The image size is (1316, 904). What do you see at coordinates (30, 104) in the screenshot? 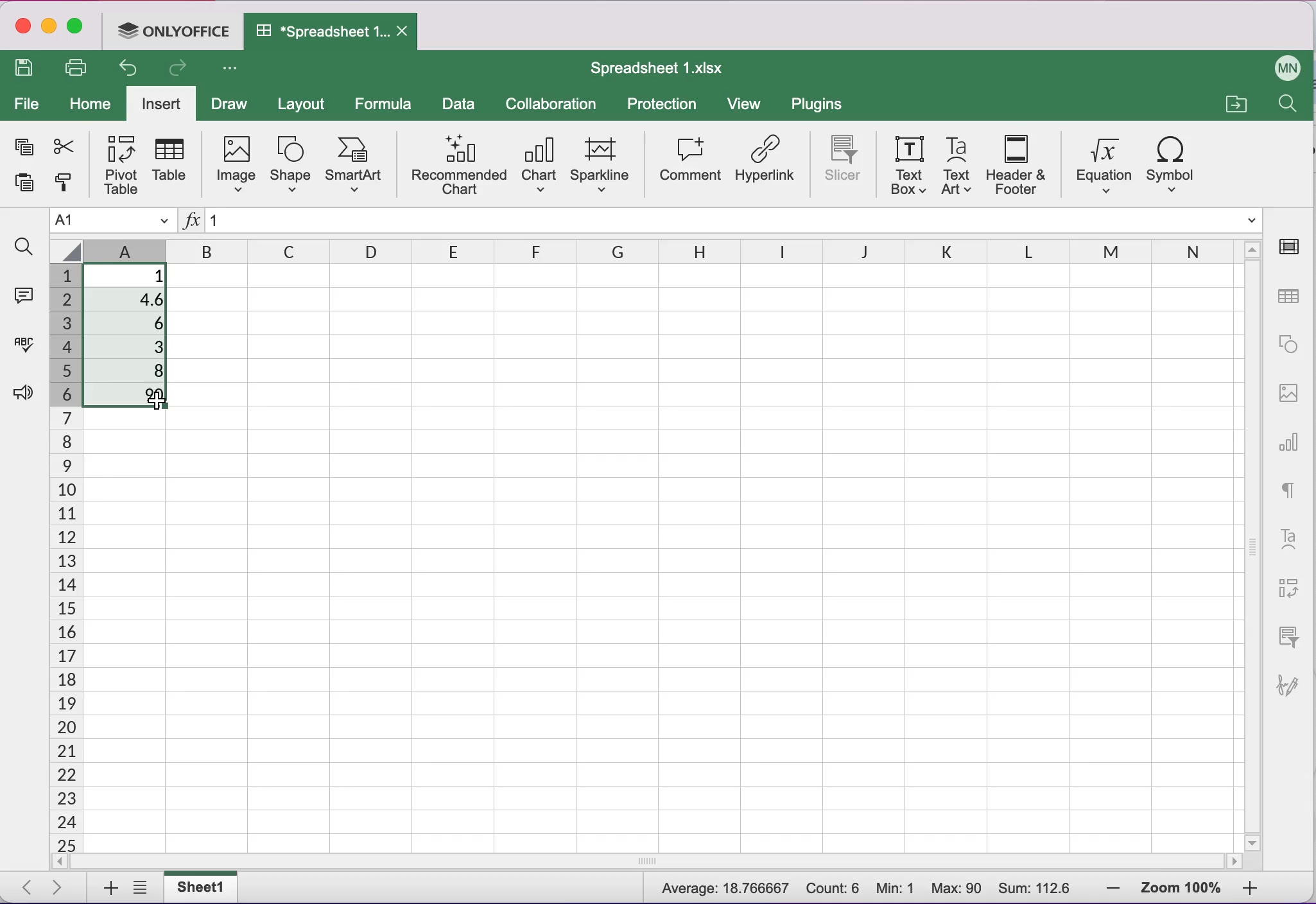
I see `file` at bounding box center [30, 104].